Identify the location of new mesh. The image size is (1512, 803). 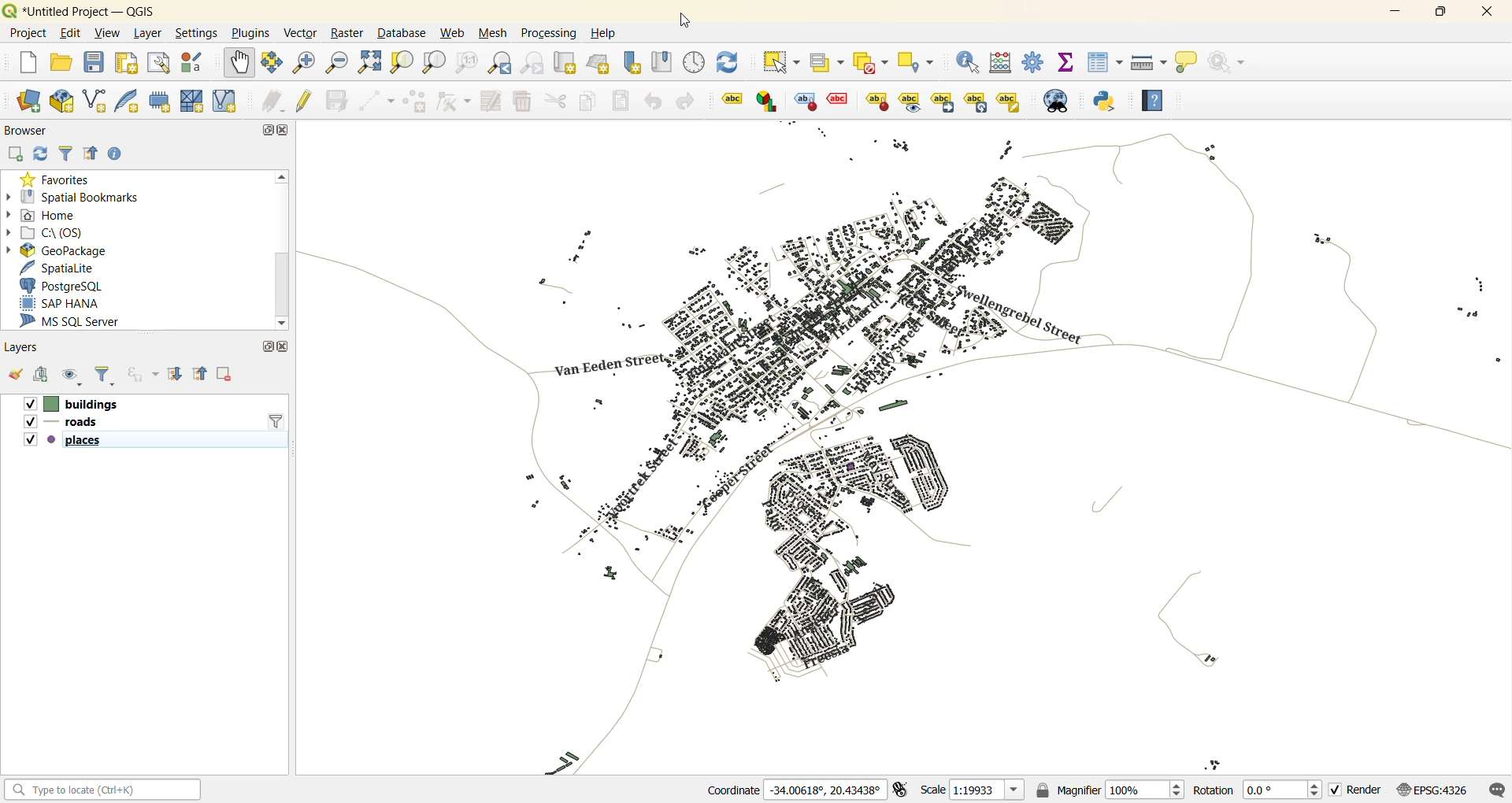
(190, 101).